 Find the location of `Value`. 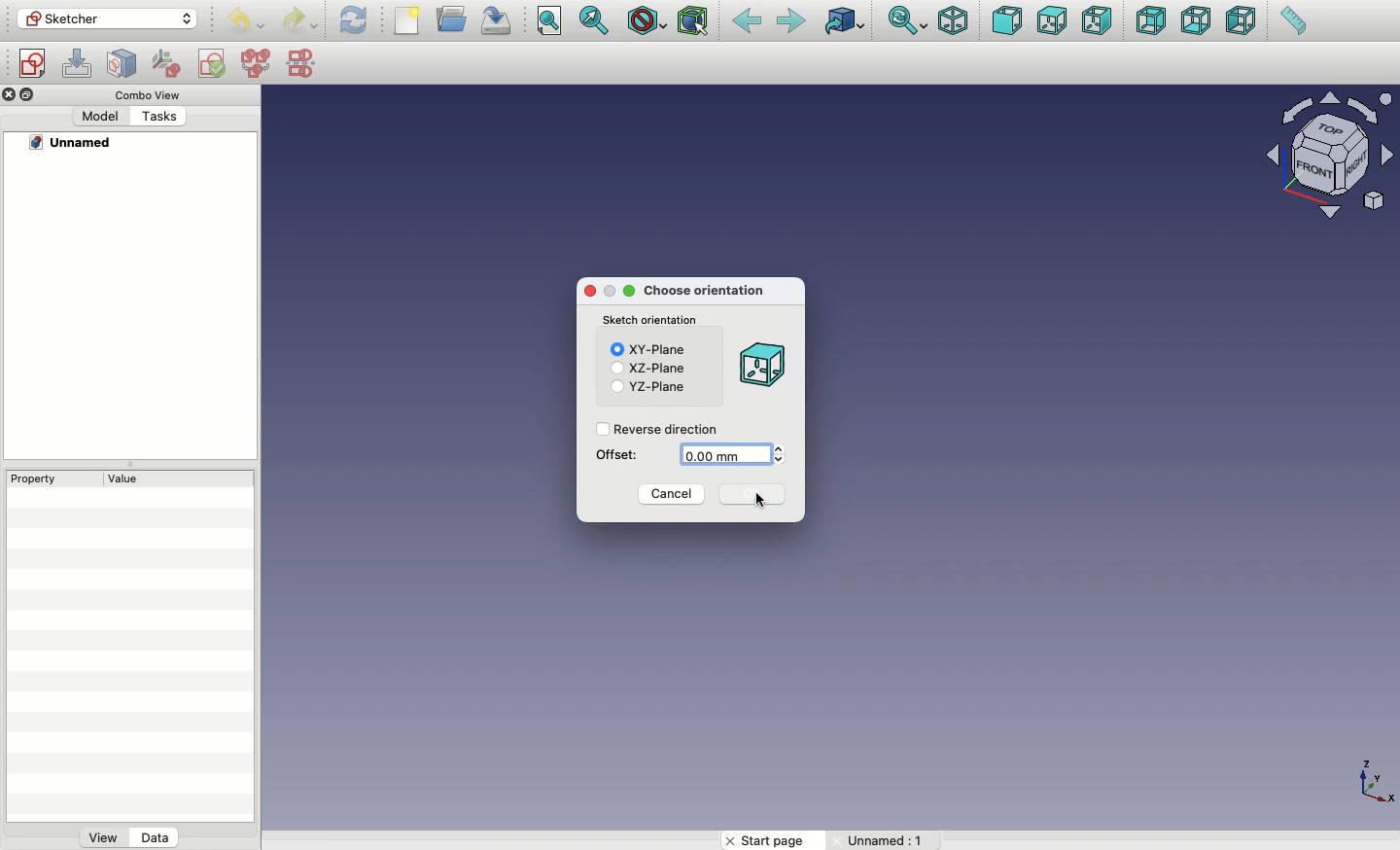

Value is located at coordinates (118, 480).